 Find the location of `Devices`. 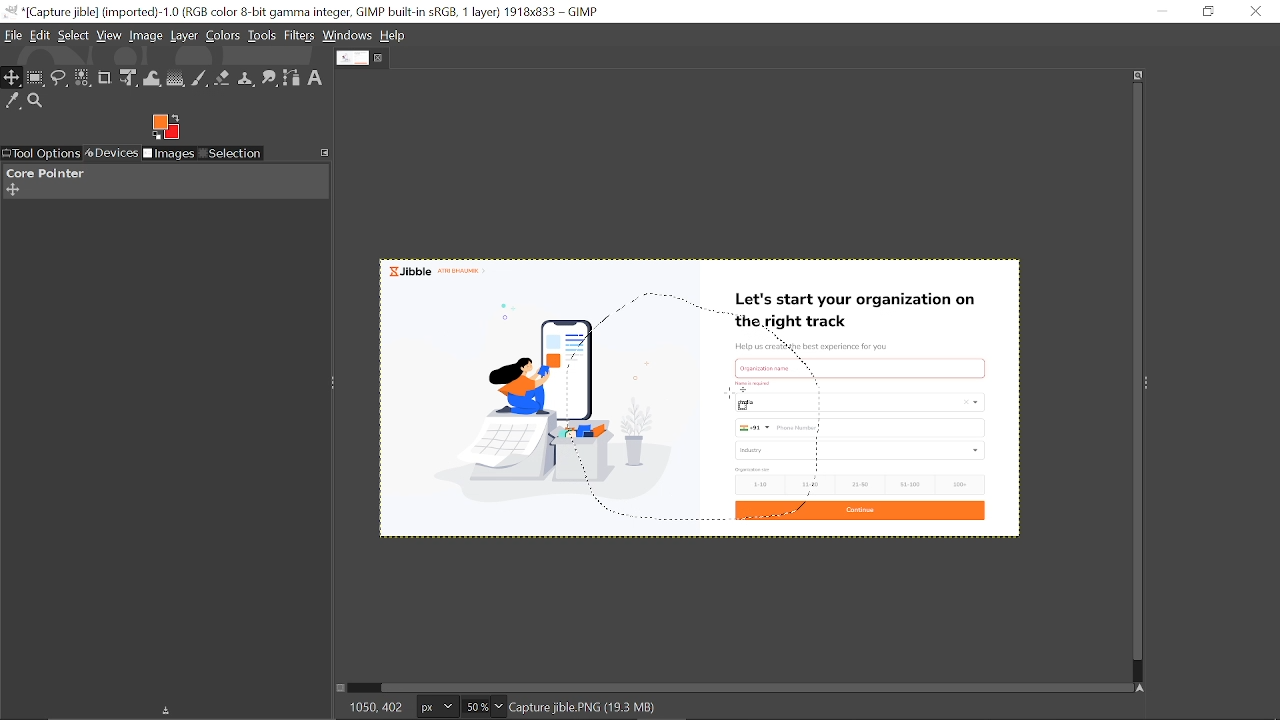

Devices is located at coordinates (110, 154).